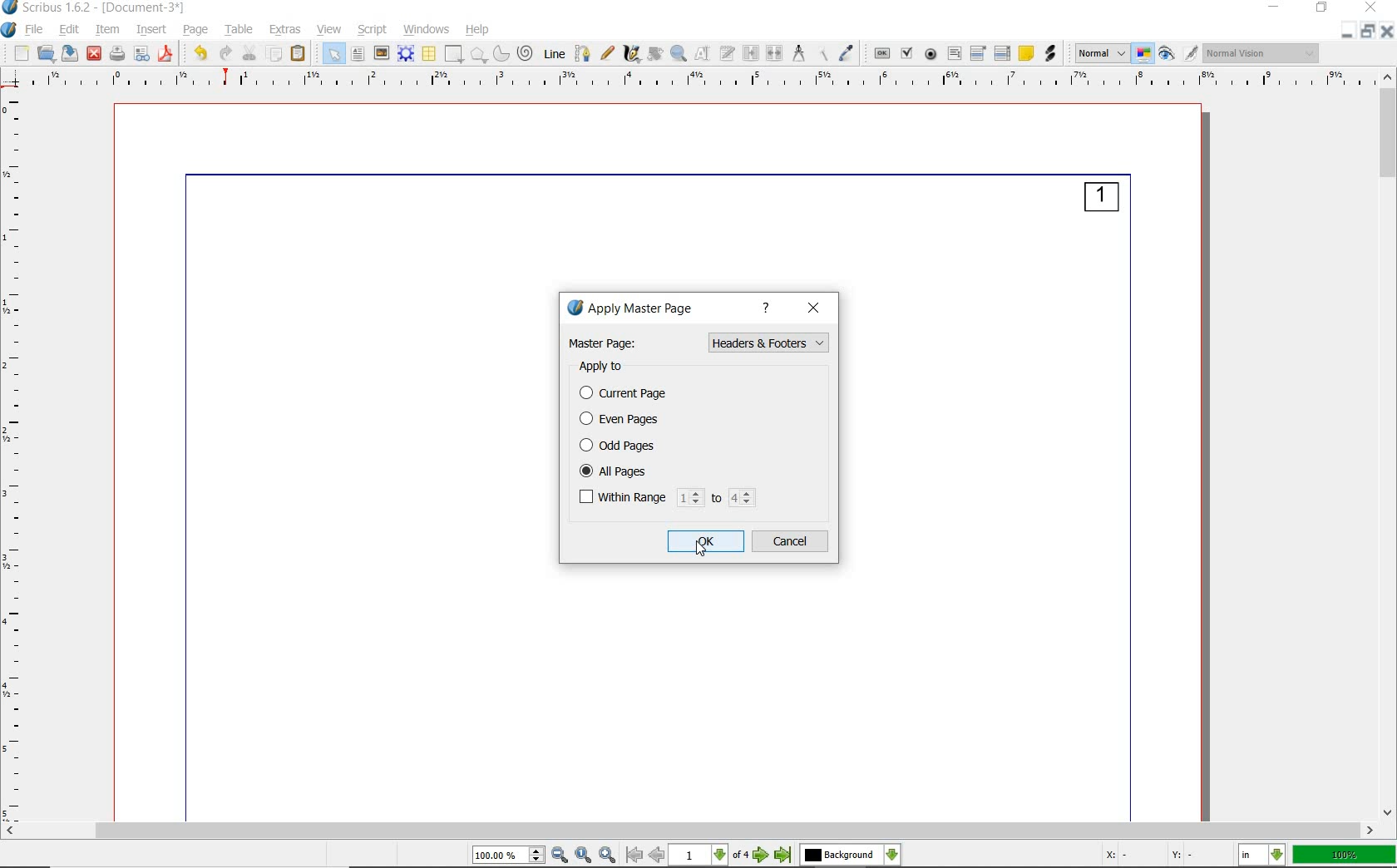 This screenshot has width=1397, height=868. Describe the element at coordinates (587, 471) in the screenshot. I see `checked` at that location.